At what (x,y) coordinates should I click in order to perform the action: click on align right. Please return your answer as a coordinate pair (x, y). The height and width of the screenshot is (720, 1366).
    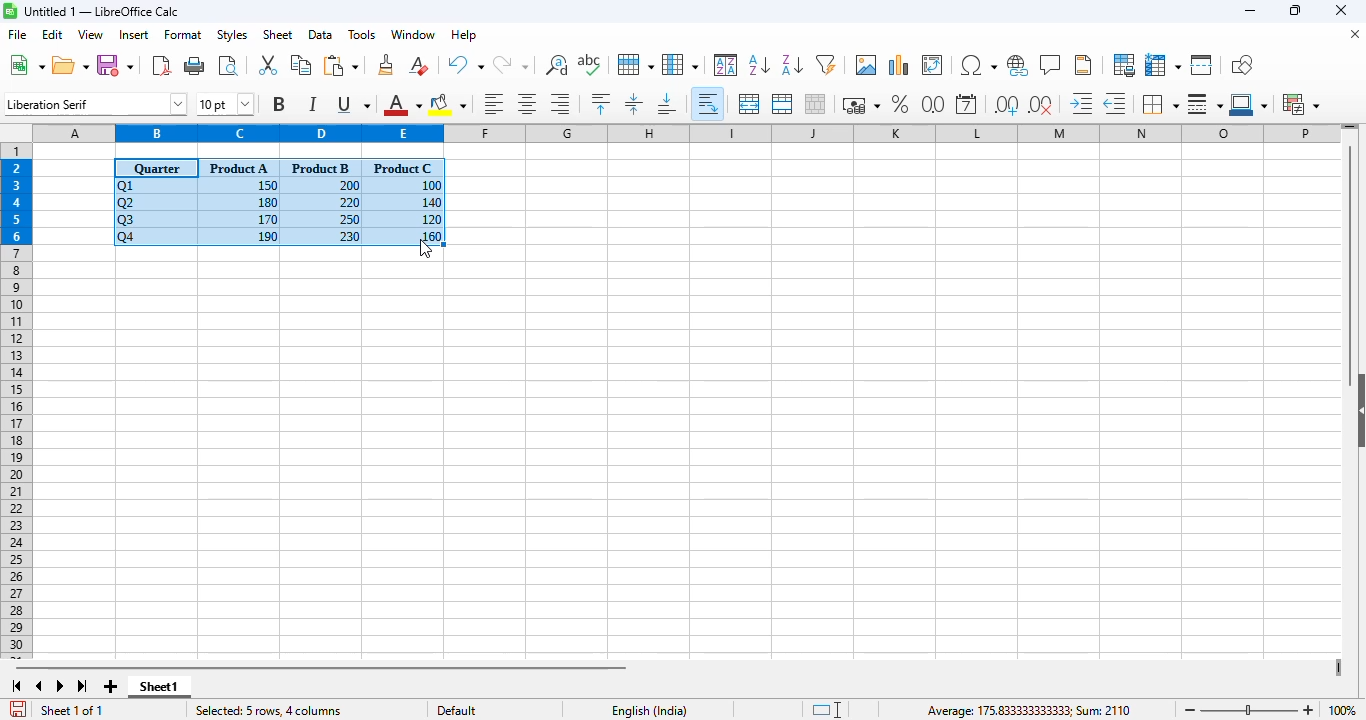
    Looking at the image, I should click on (560, 103).